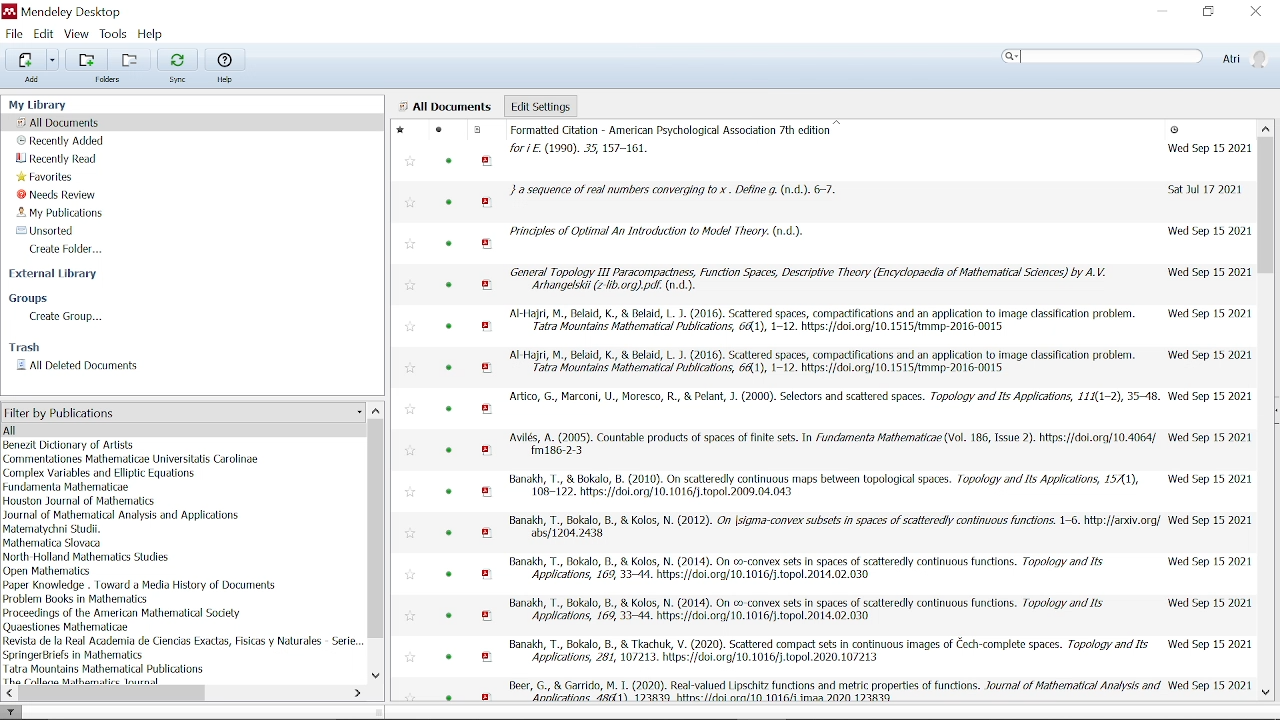  What do you see at coordinates (828, 652) in the screenshot?
I see `citation` at bounding box center [828, 652].